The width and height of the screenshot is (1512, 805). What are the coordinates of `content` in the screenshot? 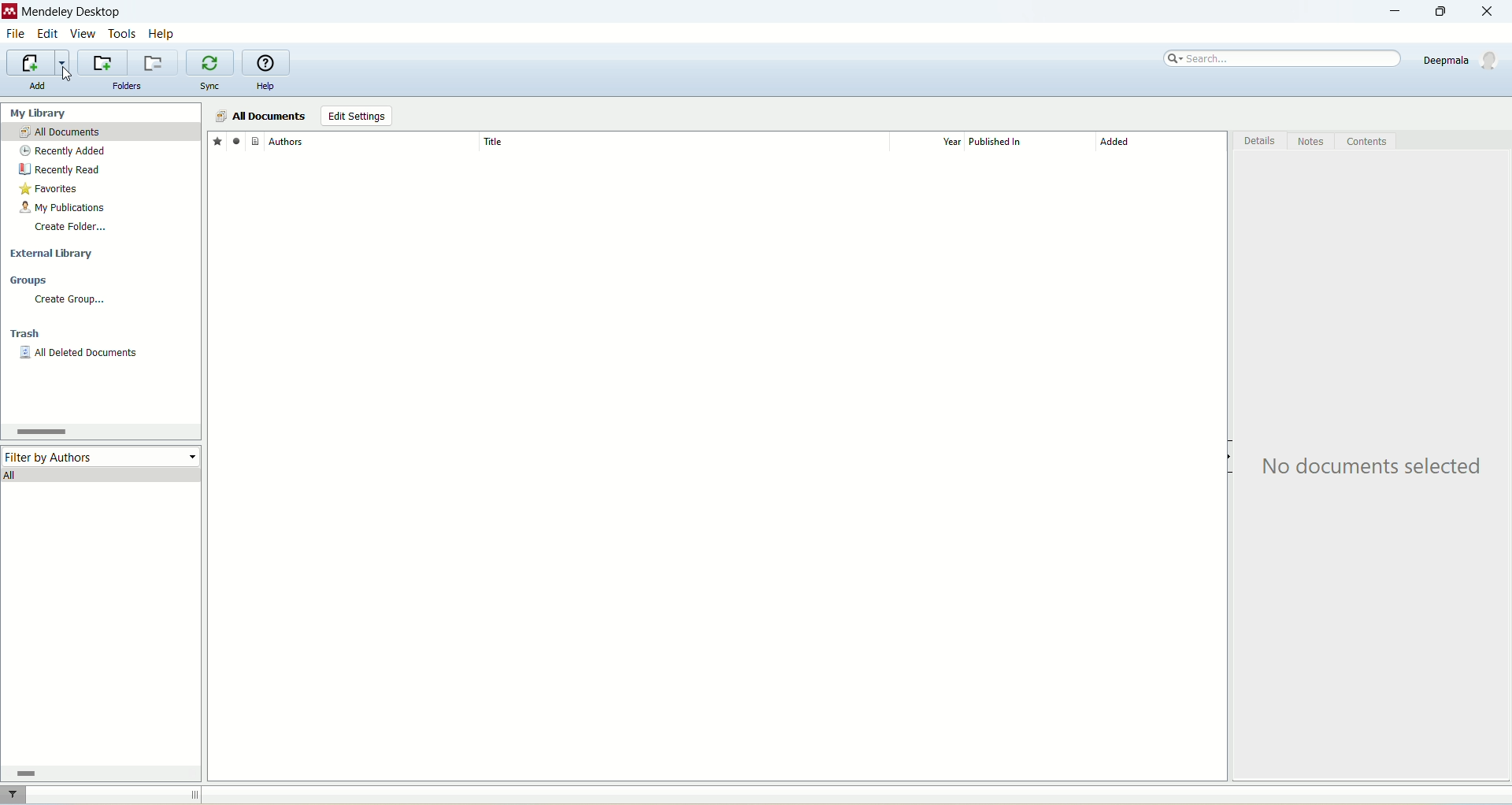 It's located at (1366, 142).